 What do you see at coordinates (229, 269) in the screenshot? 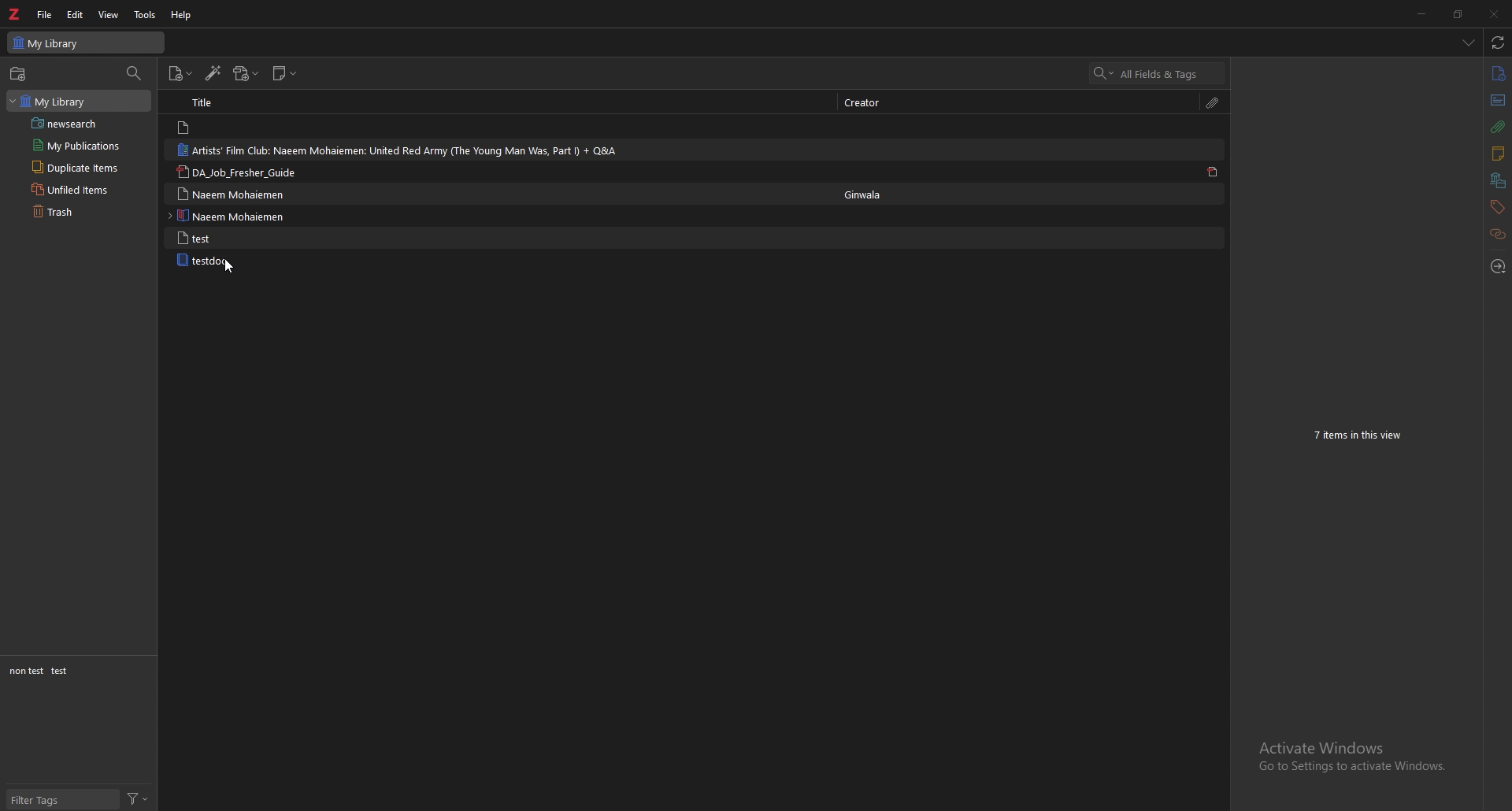
I see `cursor` at bounding box center [229, 269].